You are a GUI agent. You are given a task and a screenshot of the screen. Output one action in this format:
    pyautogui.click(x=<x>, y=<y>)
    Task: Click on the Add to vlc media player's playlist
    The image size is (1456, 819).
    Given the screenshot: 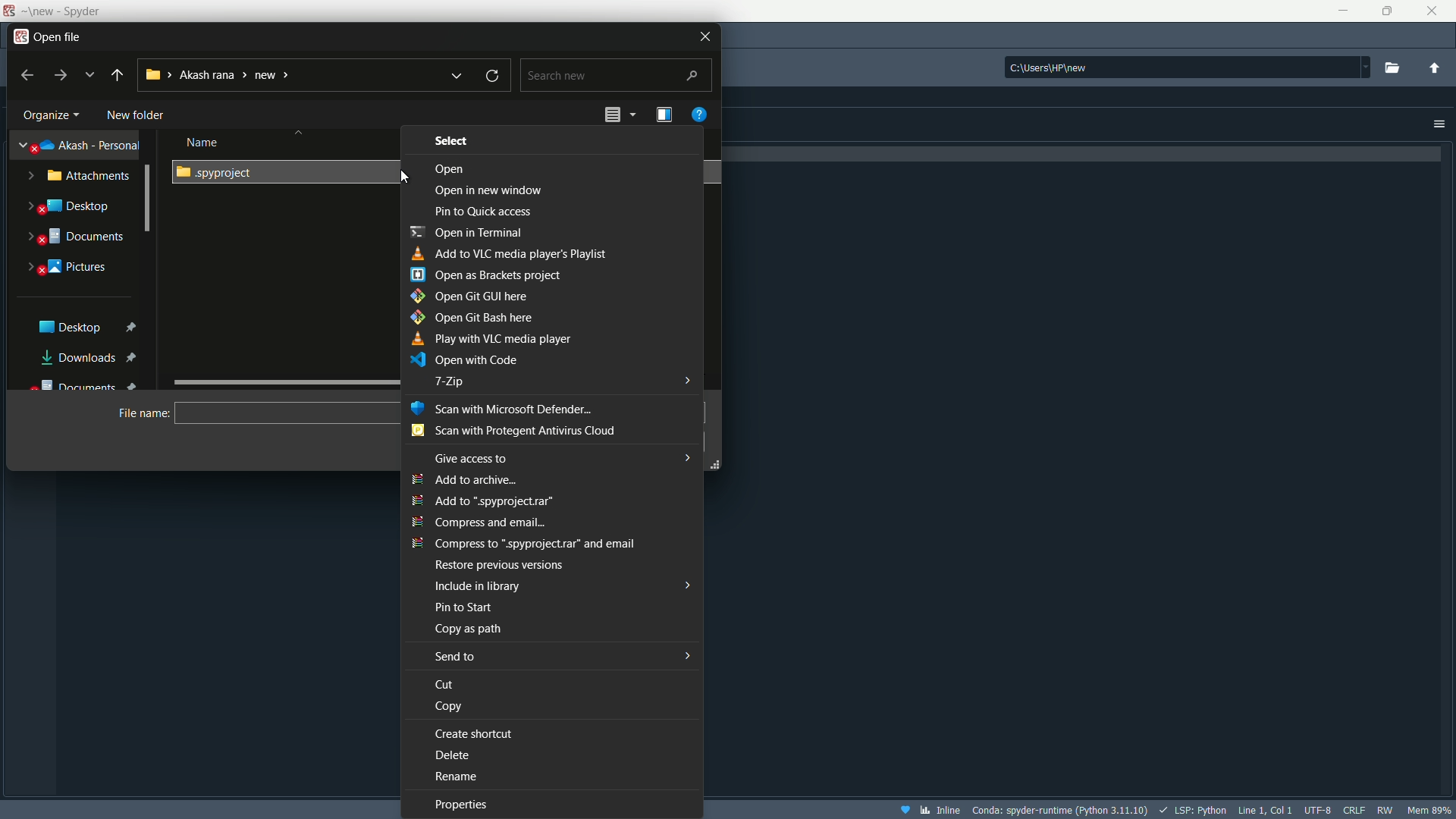 What is the action you would take?
    pyautogui.click(x=513, y=254)
    